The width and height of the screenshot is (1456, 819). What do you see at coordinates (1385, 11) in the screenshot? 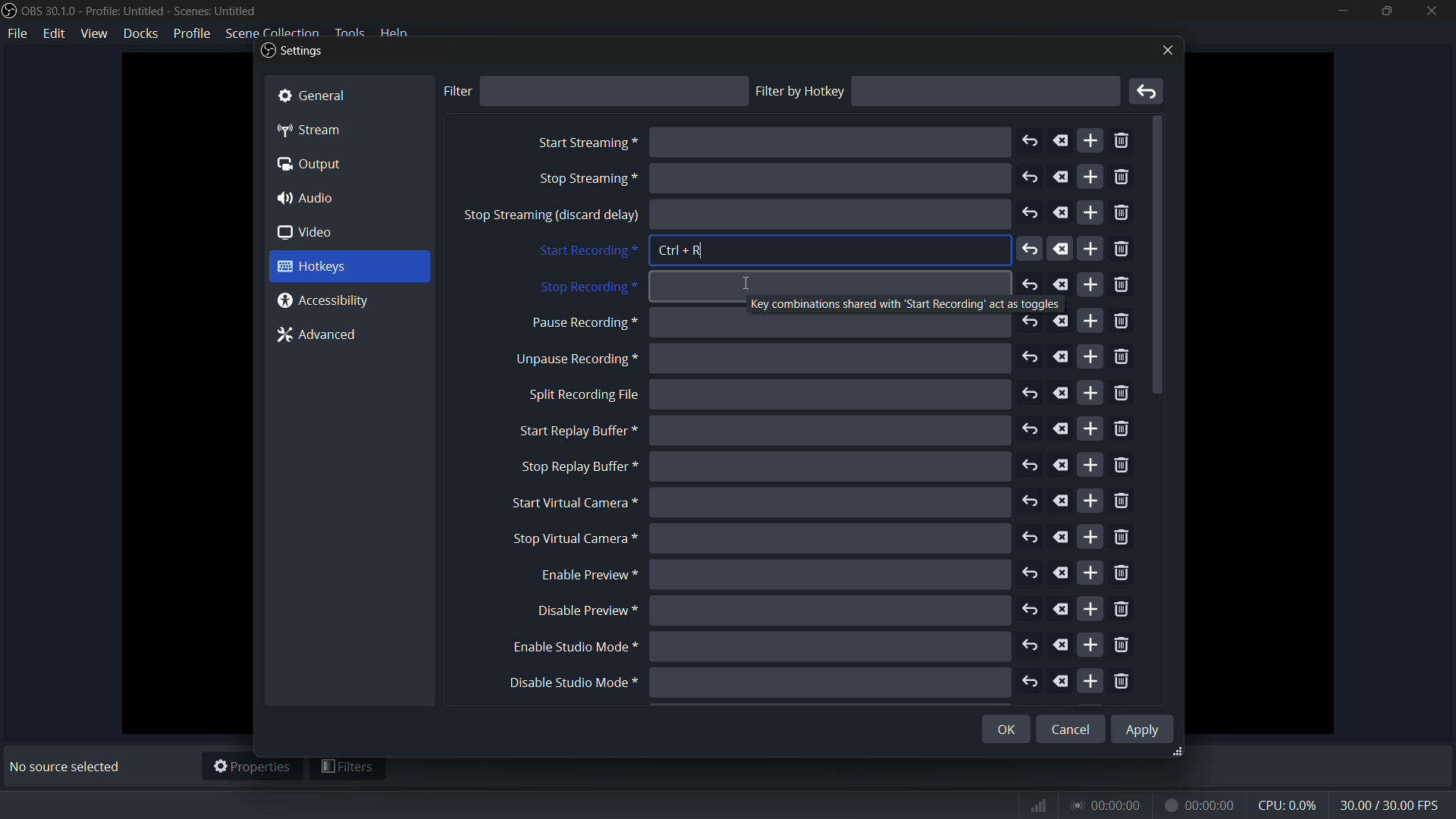
I see `maximize or restore` at bounding box center [1385, 11].